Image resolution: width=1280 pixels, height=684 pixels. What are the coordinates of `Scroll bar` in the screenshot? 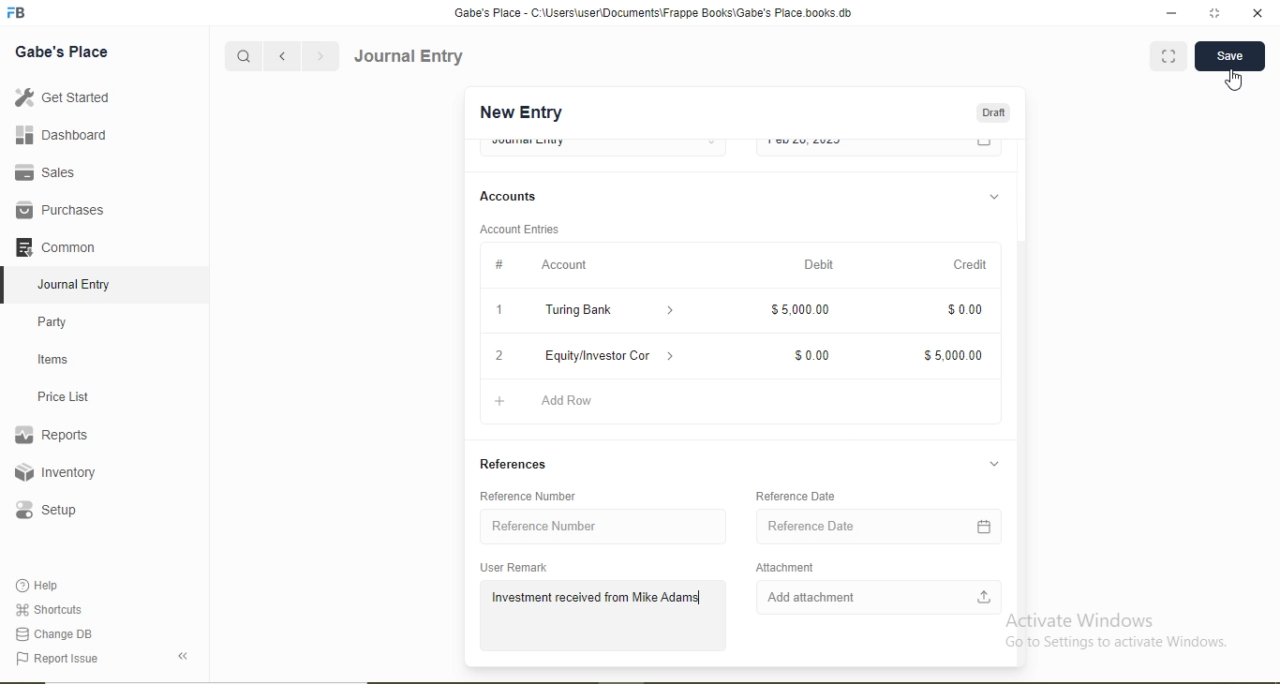 It's located at (1021, 386).